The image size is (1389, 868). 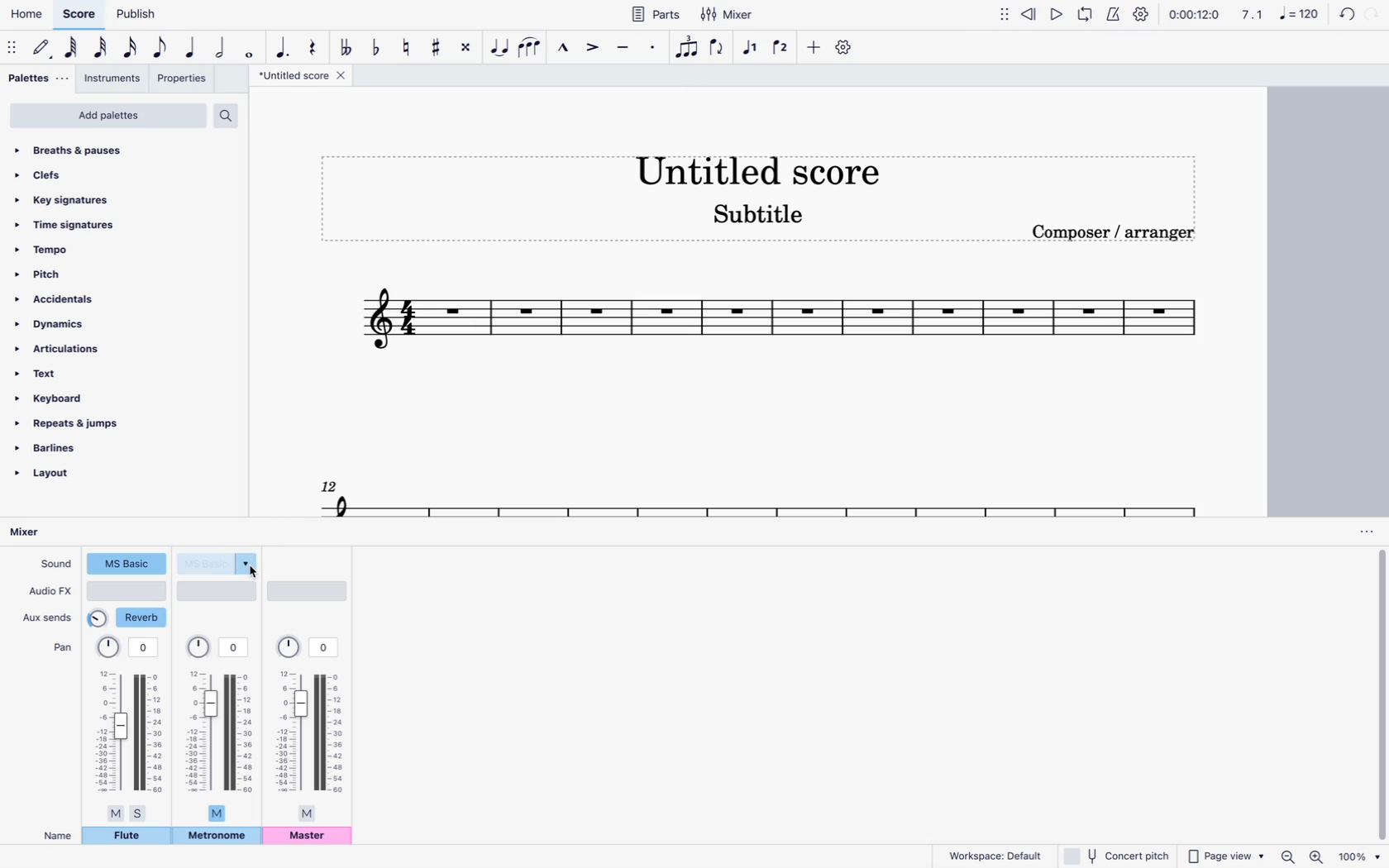 I want to click on forward, so click(x=1376, y=13).